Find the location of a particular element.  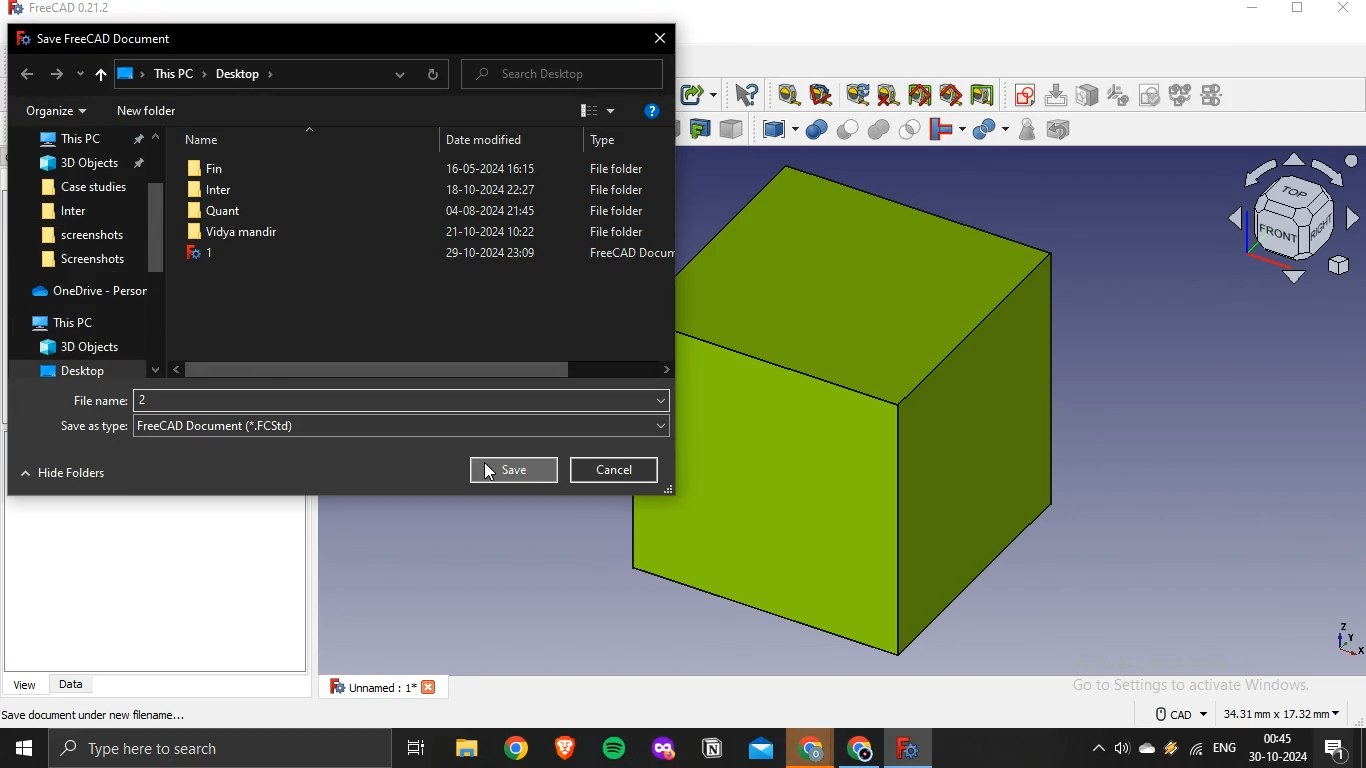

dimensions is located at coordinates (1256, 711).